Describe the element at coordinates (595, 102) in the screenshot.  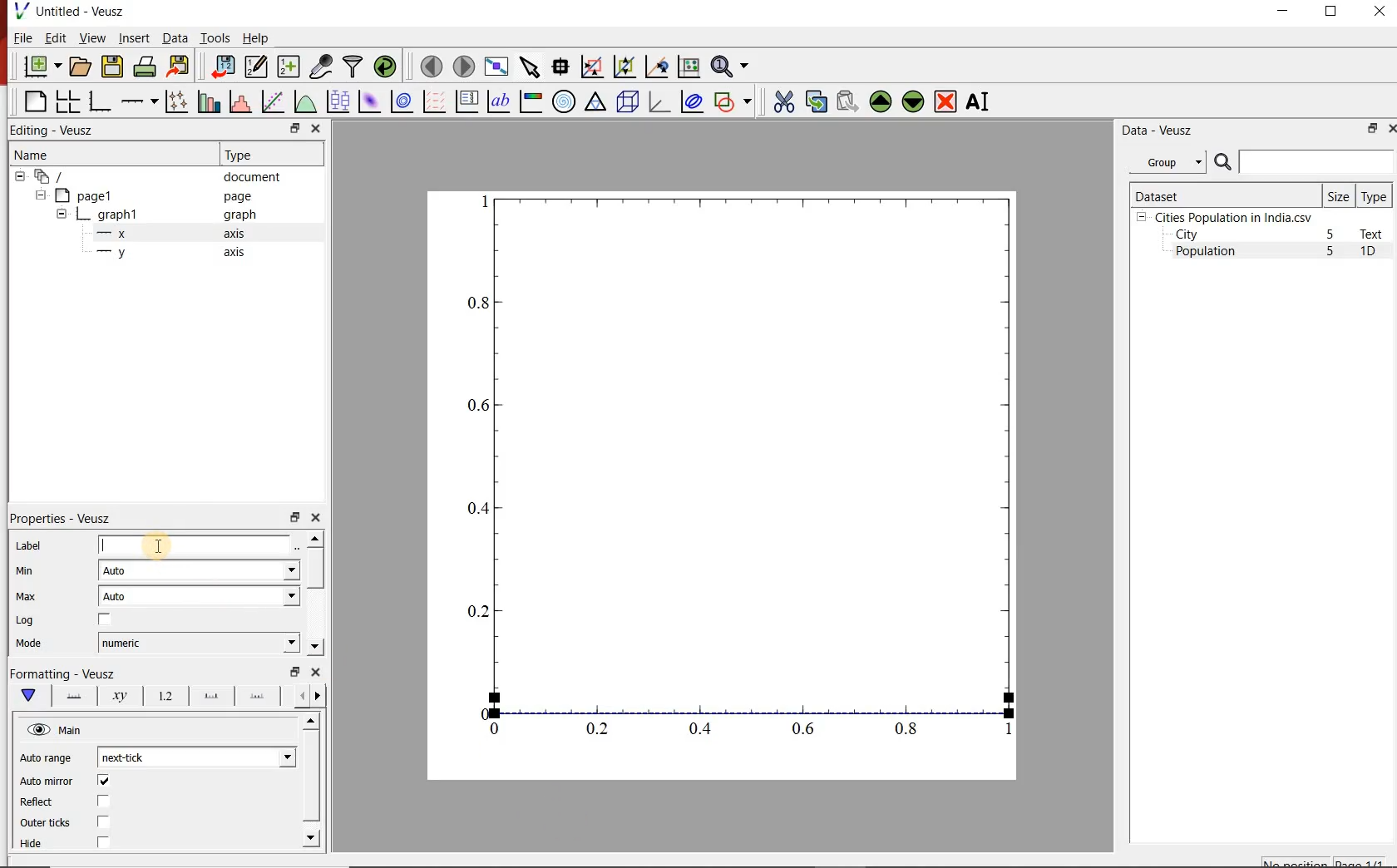
I see `Ternary graph` at that location.